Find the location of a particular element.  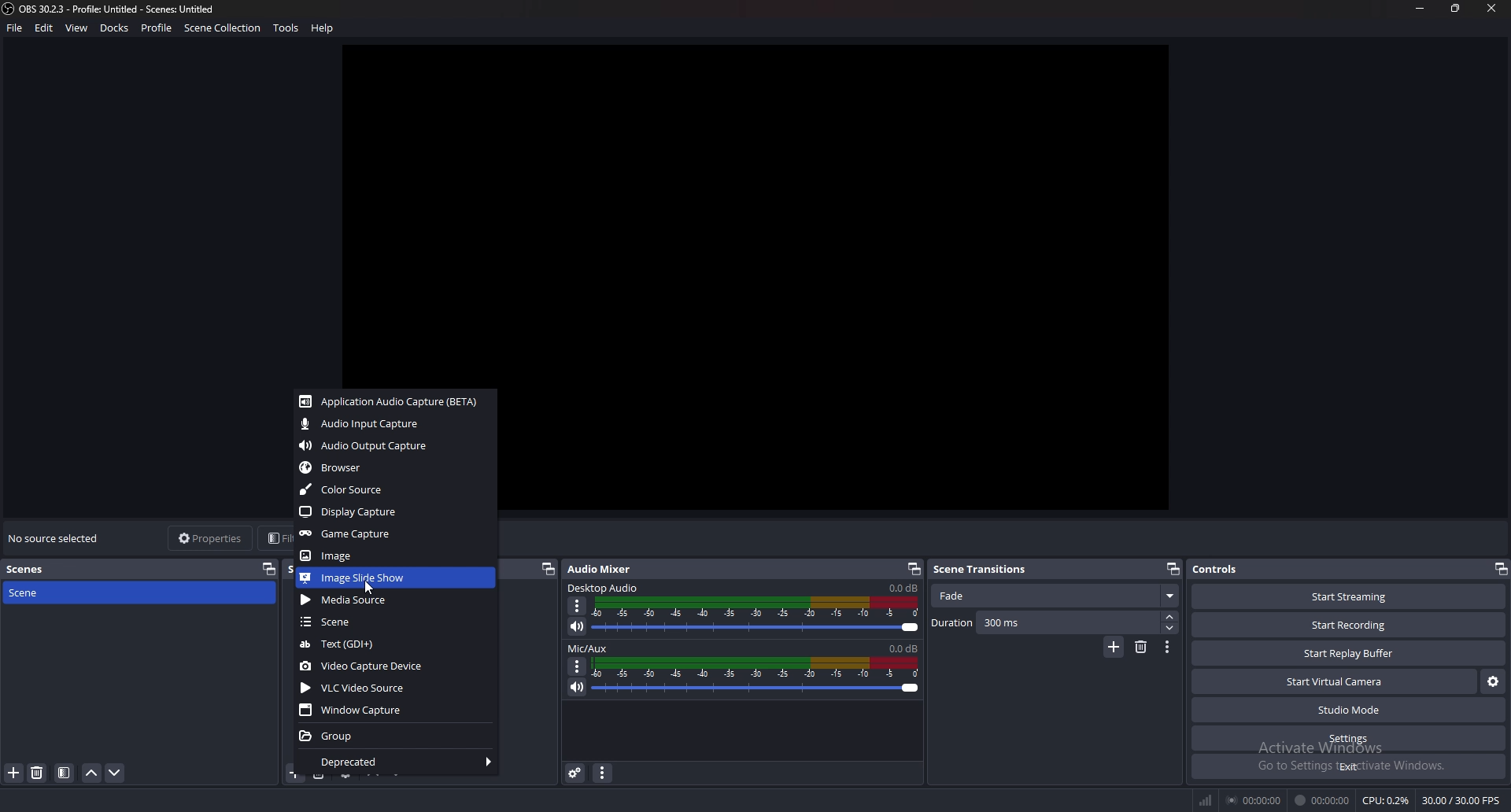

audio mixer menu is located at coordinates (602, 773).